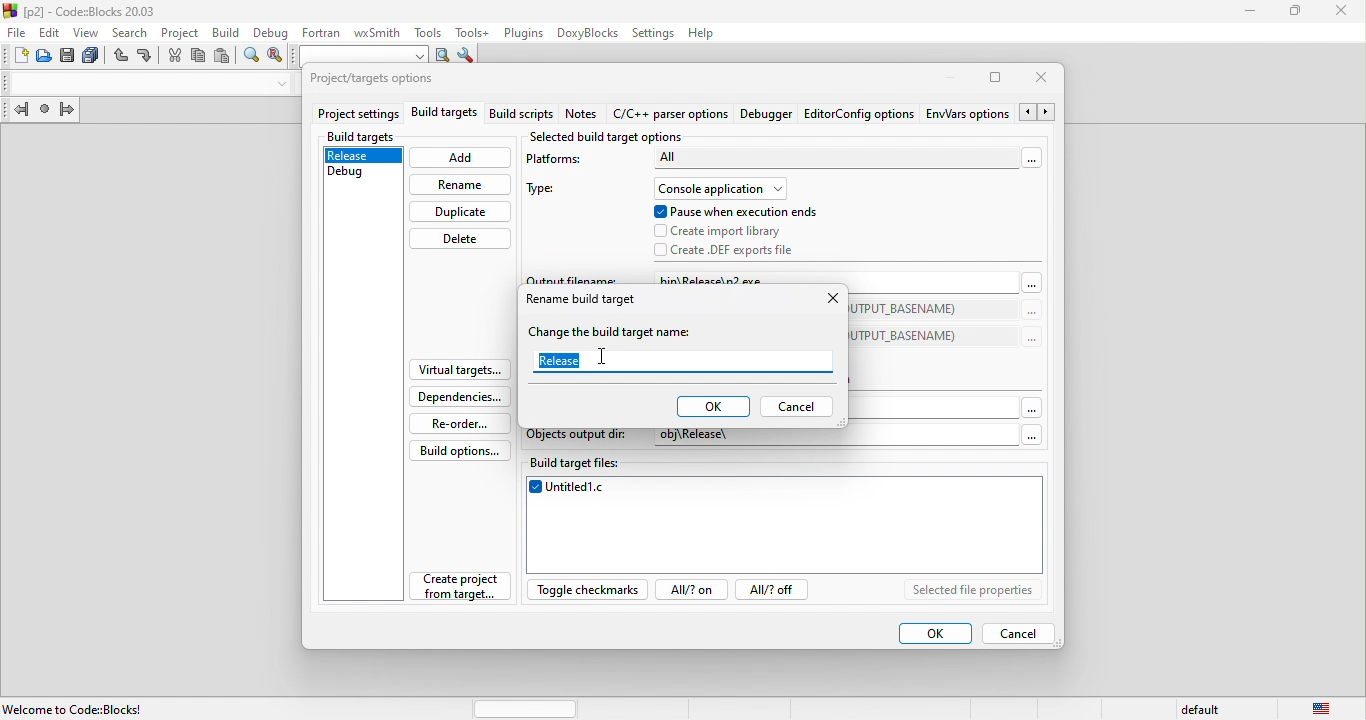 Image resolution: width=1366 pixels, height=720 pixels. I want to click on copy, so click(199, 59).